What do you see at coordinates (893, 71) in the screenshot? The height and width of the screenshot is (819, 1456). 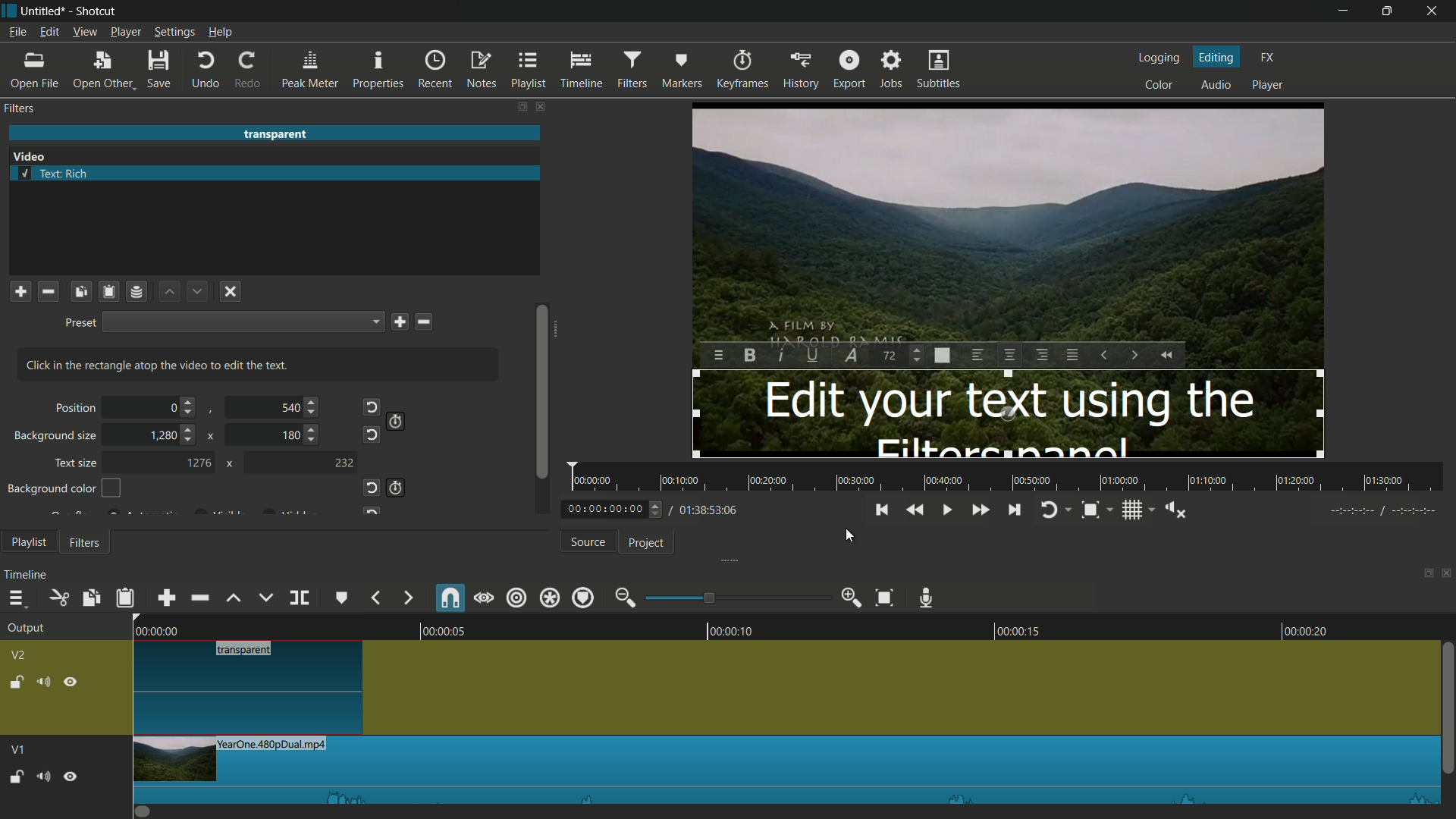 I see `jobs` at bounding box center [893, 71].